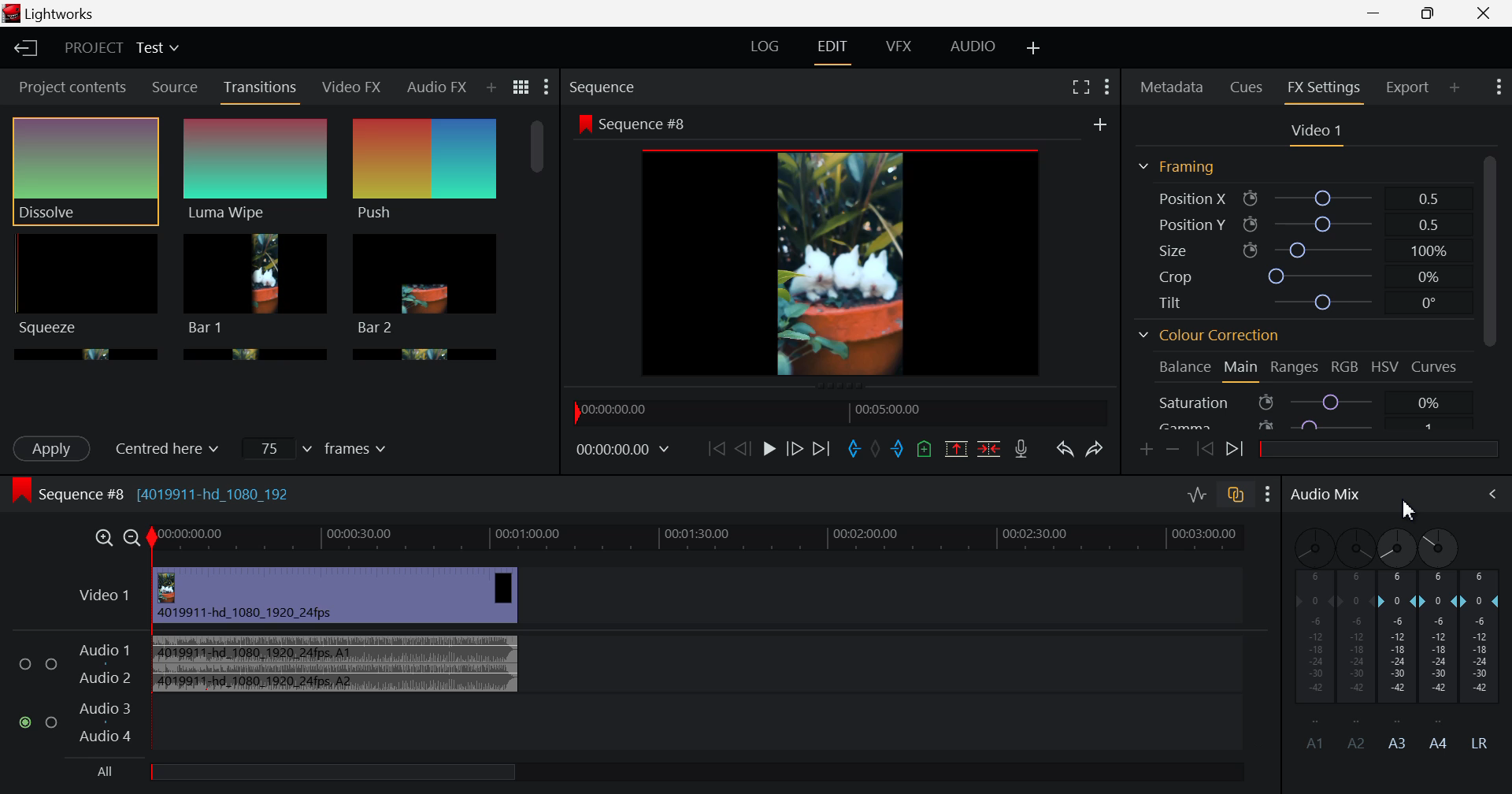  I want to click on Scroll Bar, so click(537, 232).